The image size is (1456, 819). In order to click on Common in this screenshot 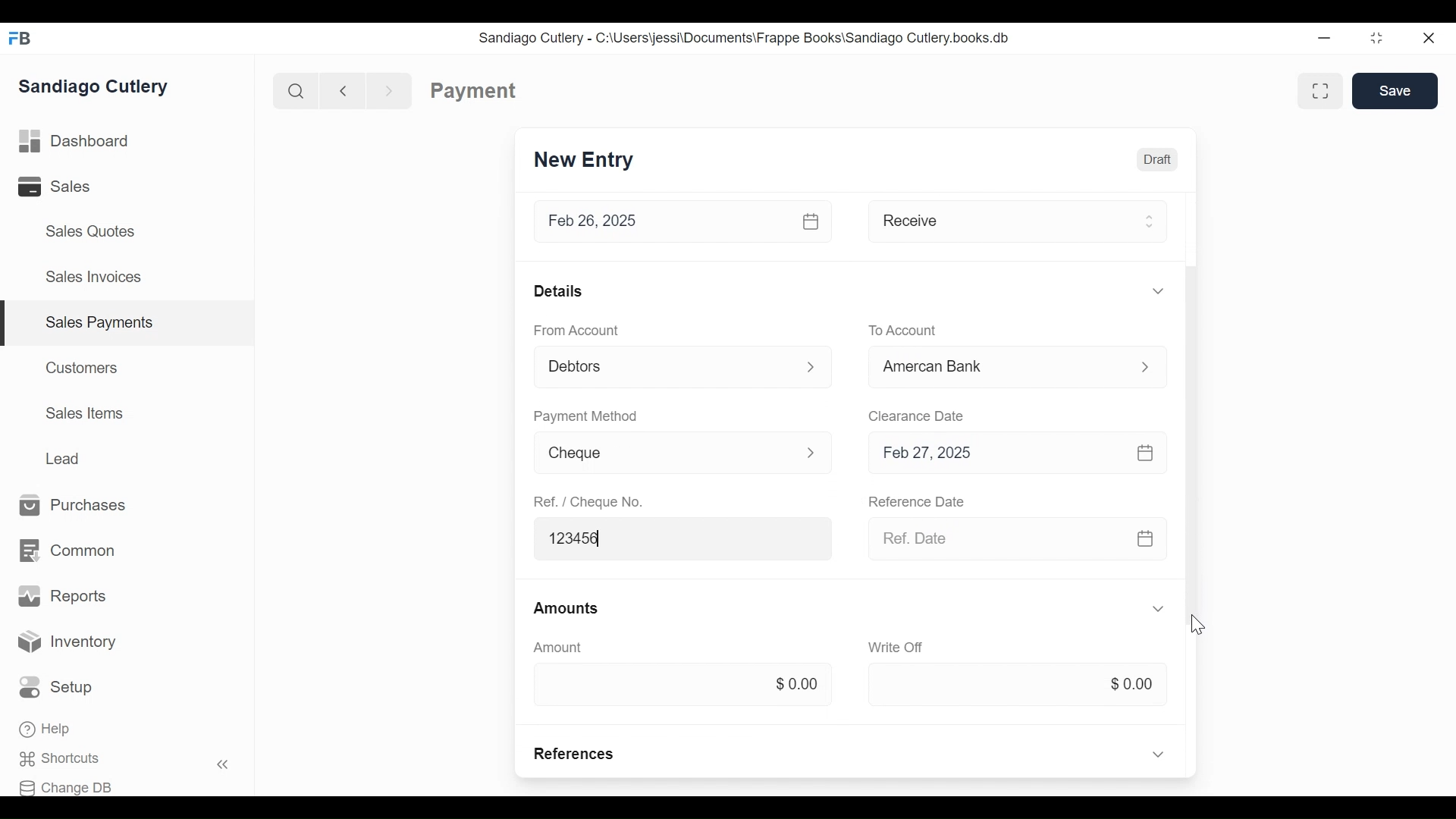, I will do `click(66, 551)`.